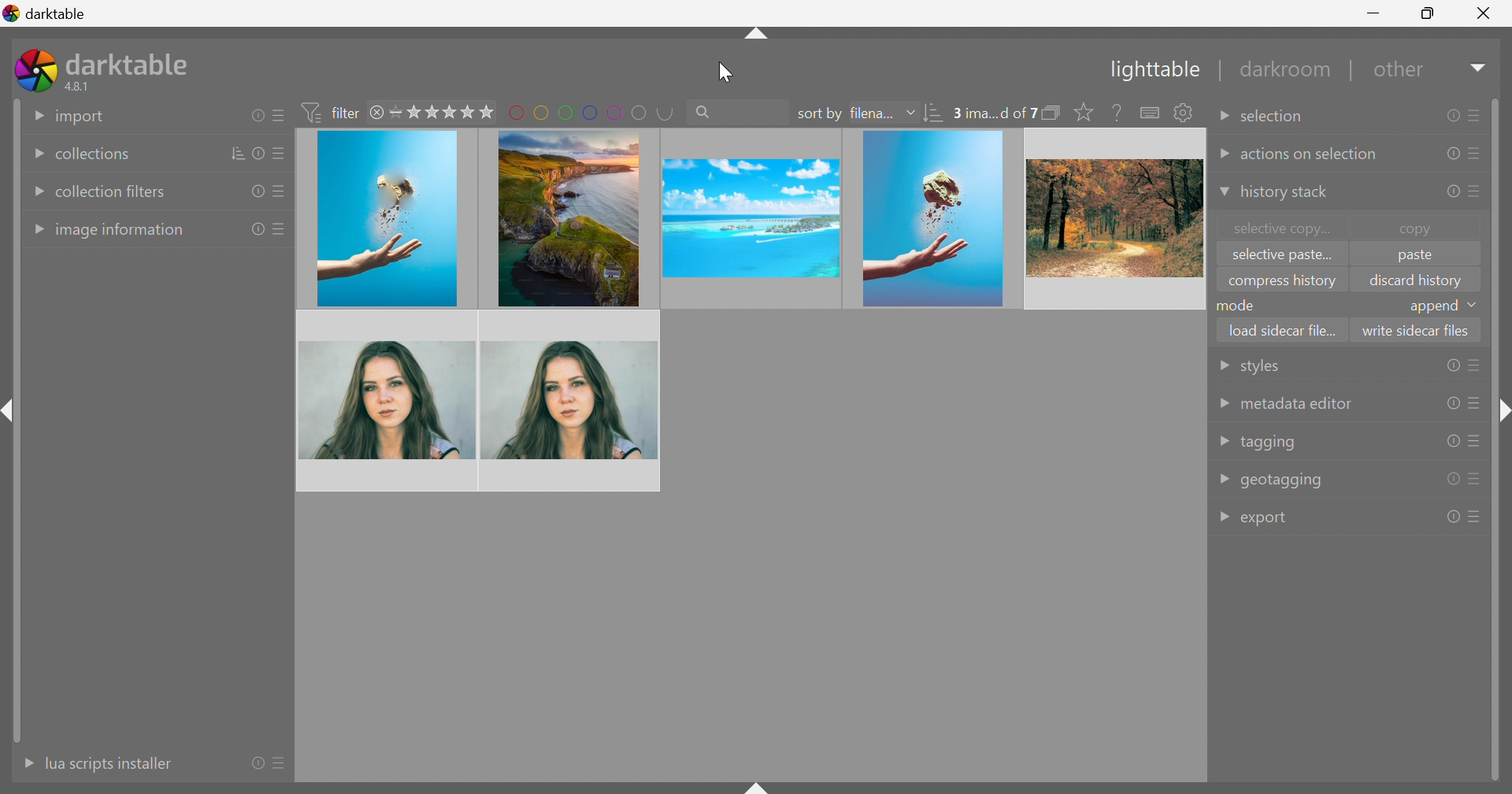  Describe the element at coordinates (754, 36) in the screenshot. I see `shift+ctrl+t` at that location.